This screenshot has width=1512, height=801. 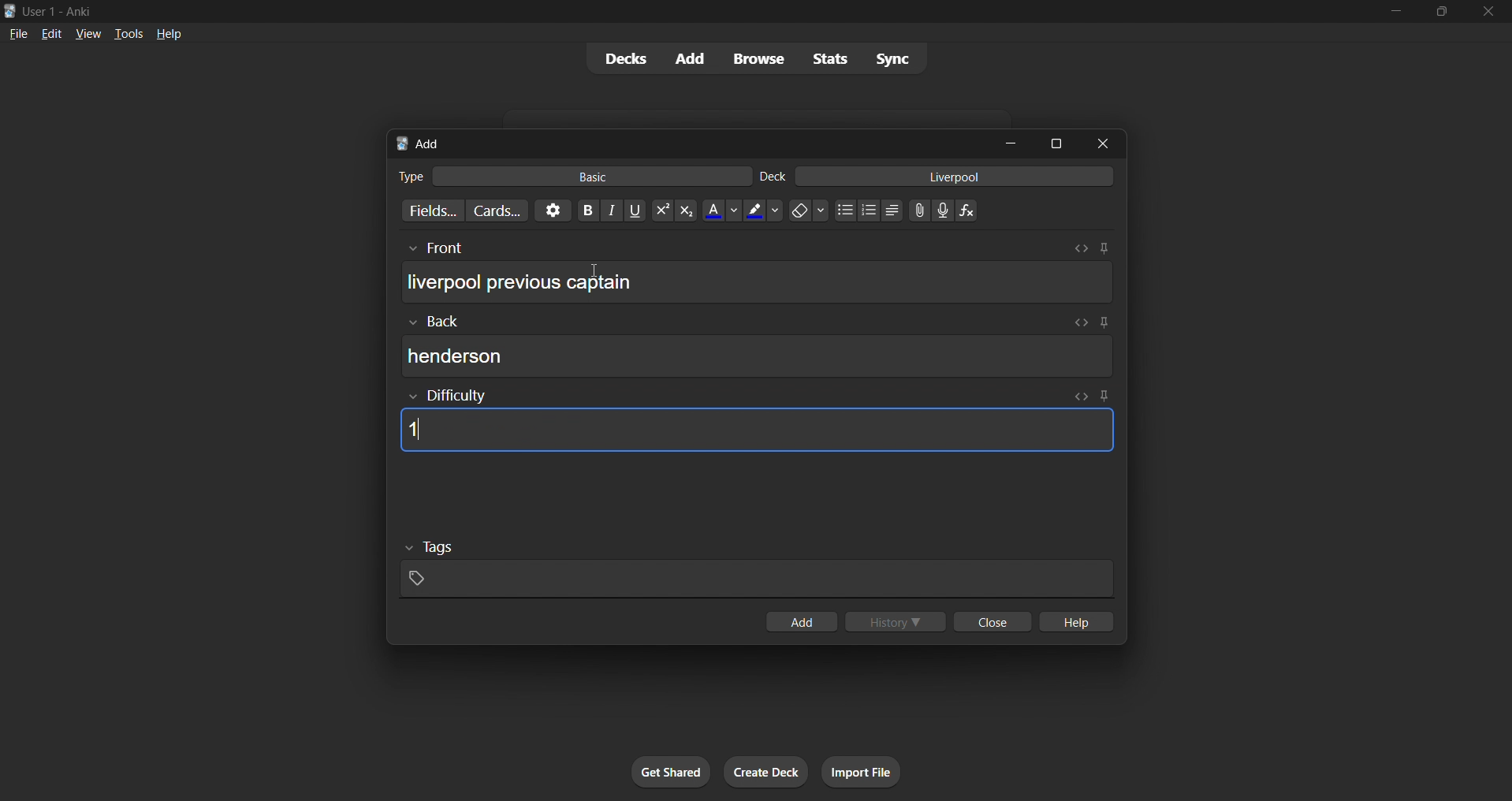 I want to click on dotted list, so click(x=844, y=212).